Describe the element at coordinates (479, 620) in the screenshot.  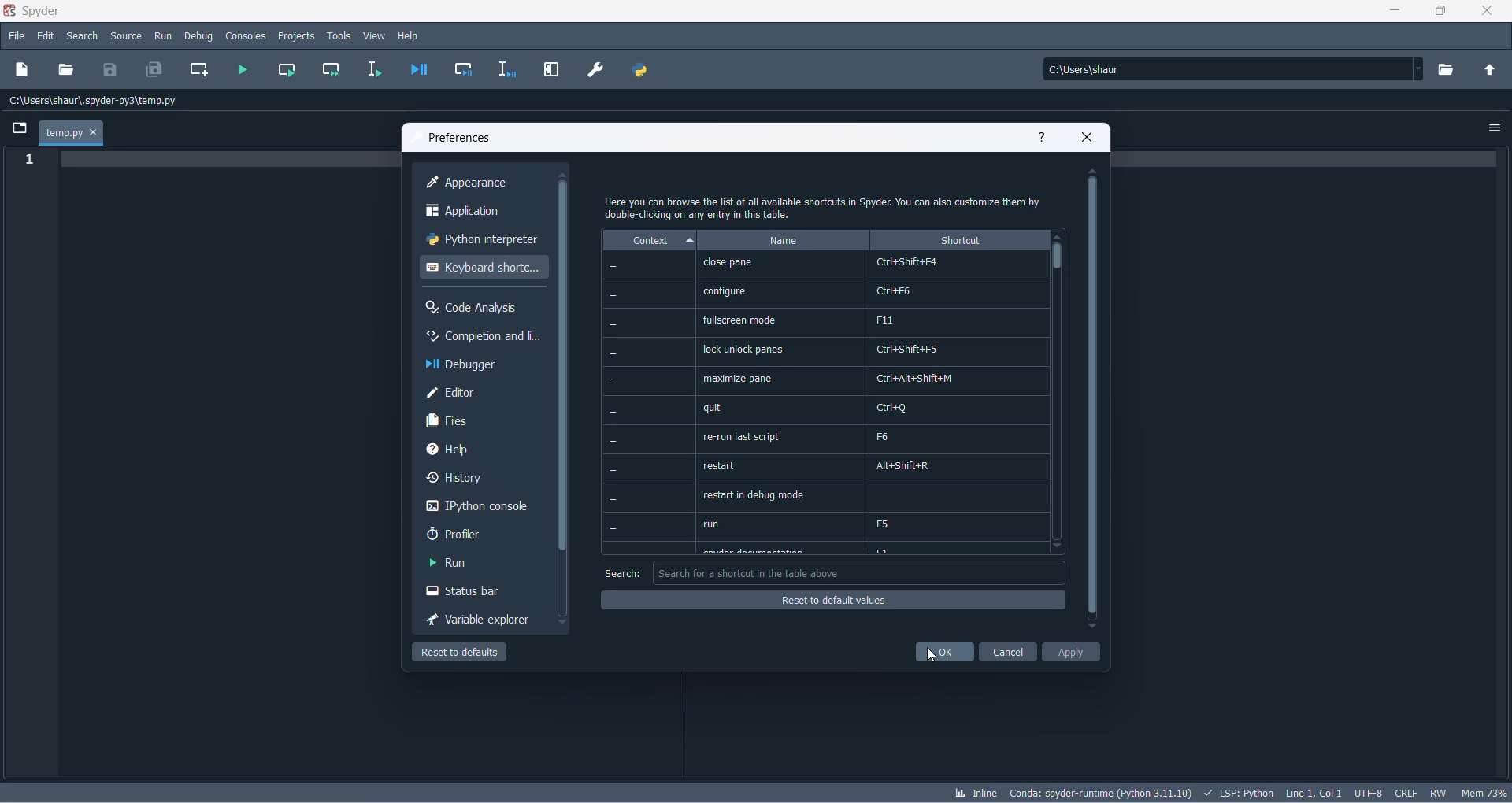
I see `variable explorer` at that location.